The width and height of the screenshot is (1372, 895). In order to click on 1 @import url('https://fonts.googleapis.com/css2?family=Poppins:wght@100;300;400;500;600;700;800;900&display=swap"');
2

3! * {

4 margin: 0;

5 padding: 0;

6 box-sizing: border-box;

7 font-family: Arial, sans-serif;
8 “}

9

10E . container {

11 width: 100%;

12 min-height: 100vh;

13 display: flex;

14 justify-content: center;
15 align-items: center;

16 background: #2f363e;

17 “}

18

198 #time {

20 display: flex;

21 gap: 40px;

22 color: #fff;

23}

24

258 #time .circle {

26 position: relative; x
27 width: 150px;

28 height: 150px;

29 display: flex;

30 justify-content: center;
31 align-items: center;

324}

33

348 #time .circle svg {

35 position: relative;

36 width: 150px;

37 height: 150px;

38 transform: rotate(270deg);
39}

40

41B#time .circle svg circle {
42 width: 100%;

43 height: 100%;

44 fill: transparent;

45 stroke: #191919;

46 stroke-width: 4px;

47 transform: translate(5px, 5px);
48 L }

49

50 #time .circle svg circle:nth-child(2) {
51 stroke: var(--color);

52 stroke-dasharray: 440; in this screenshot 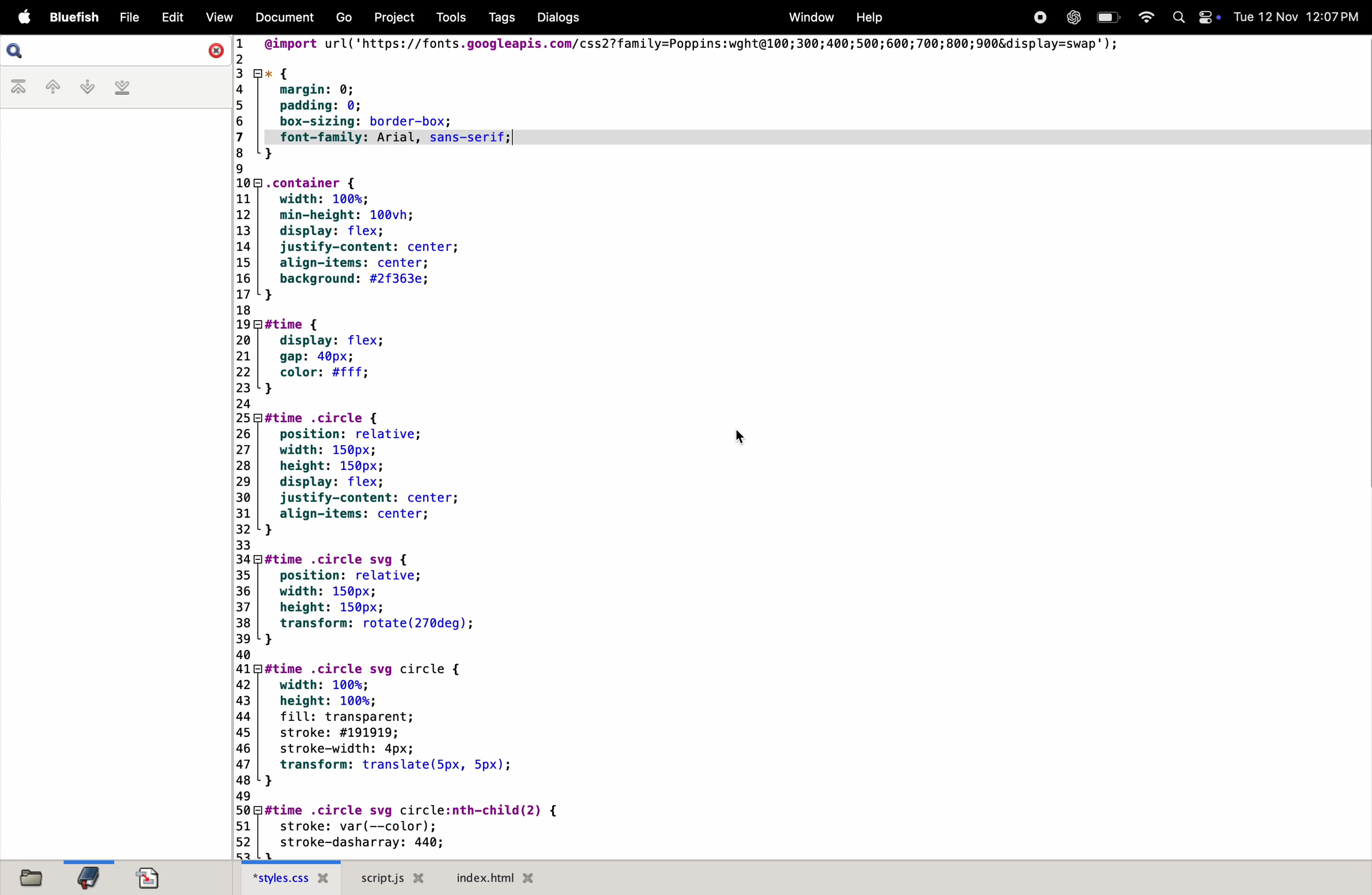, I will do `click(738, 445)`.